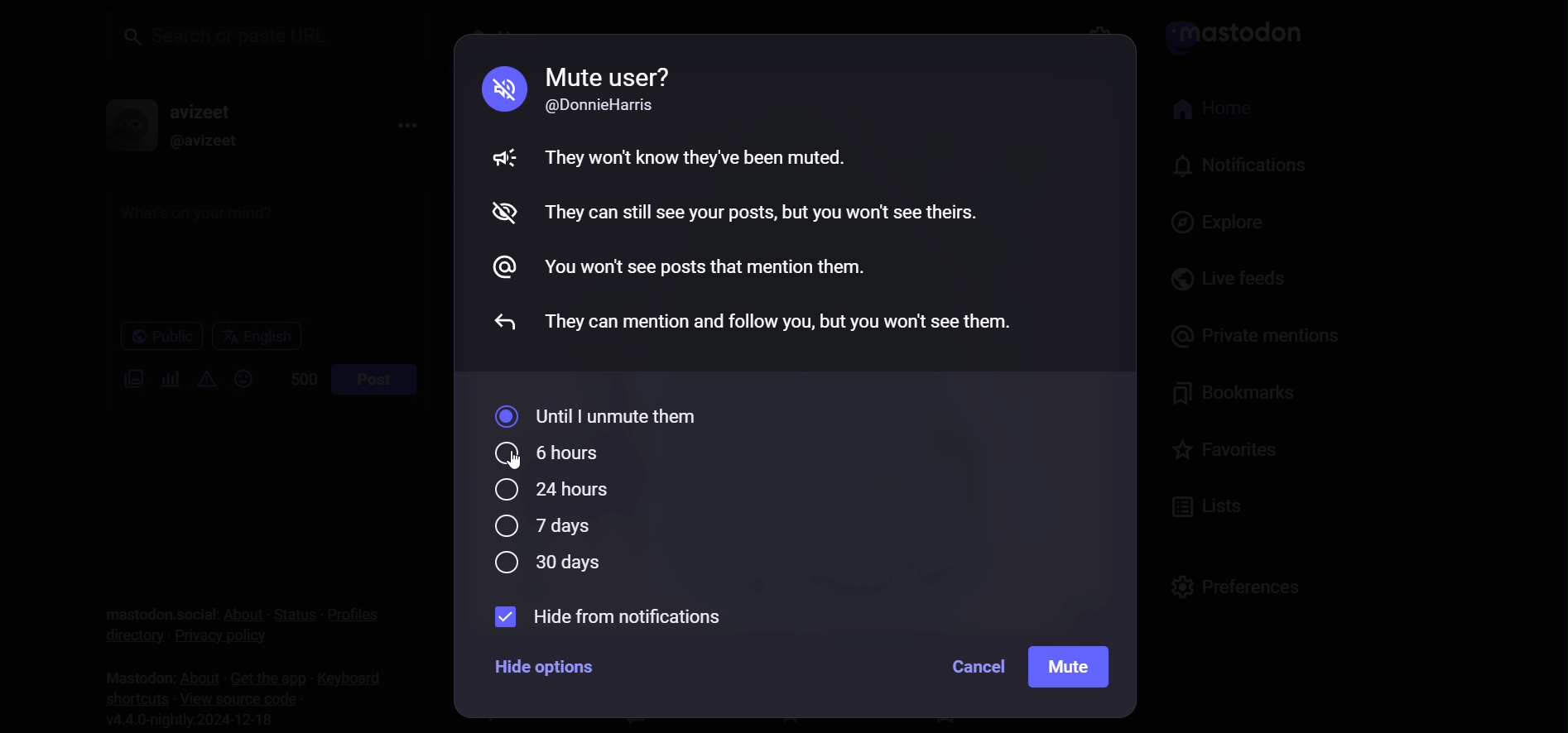 The height and width of the screenshot is (733, 1568). Describe the element at coordinates (605, 616) in the screenshot. I see `hide from notification` at that location.